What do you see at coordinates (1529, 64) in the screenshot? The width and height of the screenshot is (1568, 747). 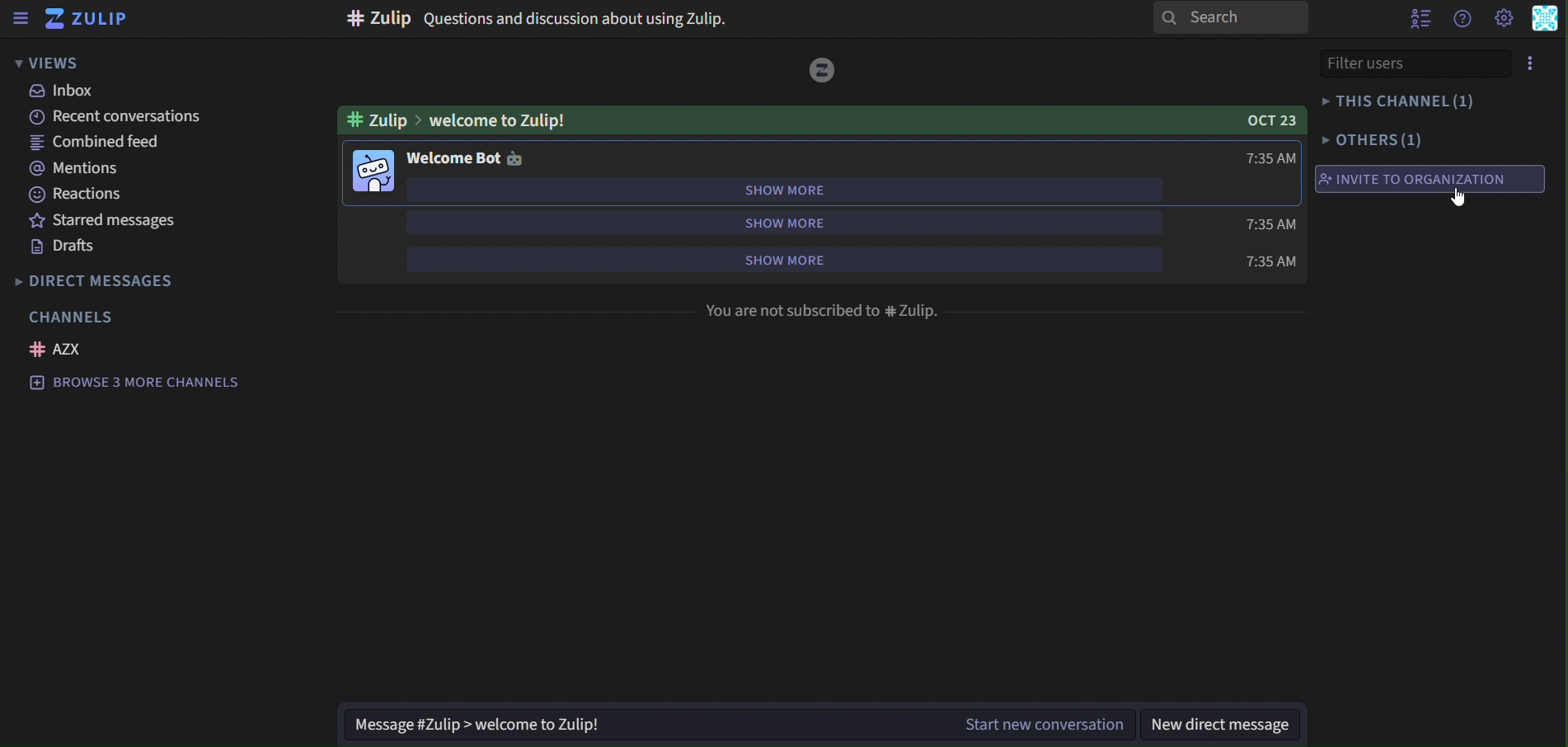 I see `menu` at bounding box center [1529, 64].